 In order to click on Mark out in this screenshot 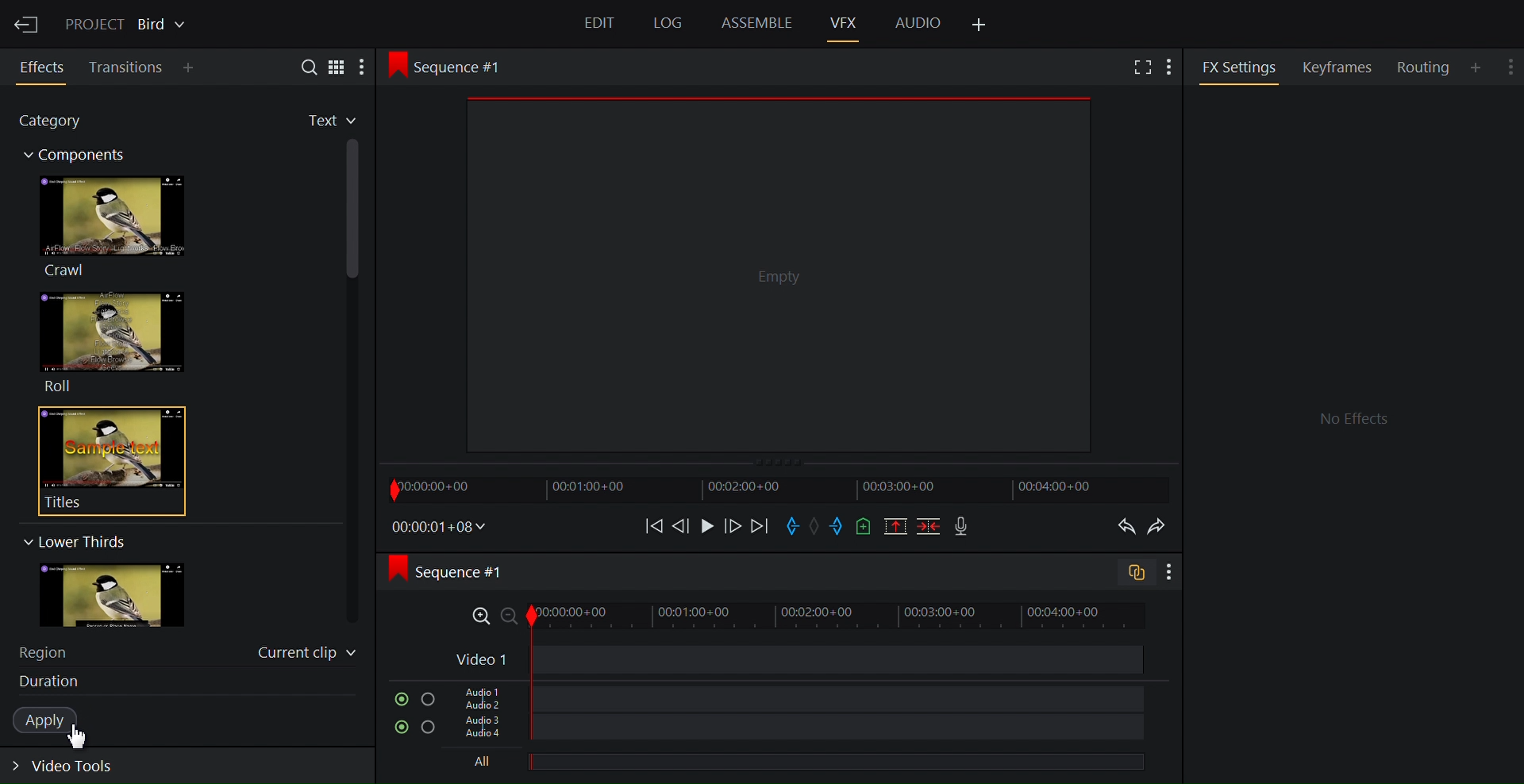, I will do `click(837, 527)`.